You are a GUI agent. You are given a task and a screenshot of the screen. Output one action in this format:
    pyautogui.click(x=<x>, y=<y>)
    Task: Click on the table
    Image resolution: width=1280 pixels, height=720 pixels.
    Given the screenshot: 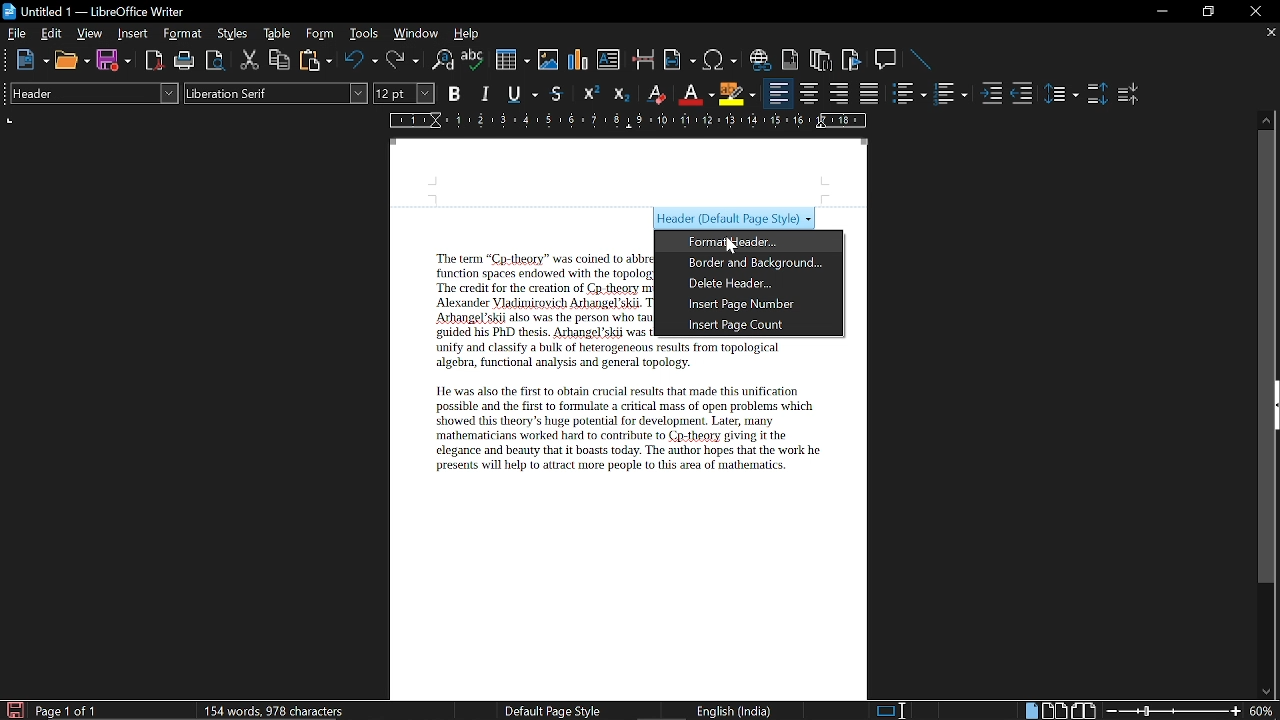 What is the action you would take?
    pyautogui.click(x=278, y=34)
    